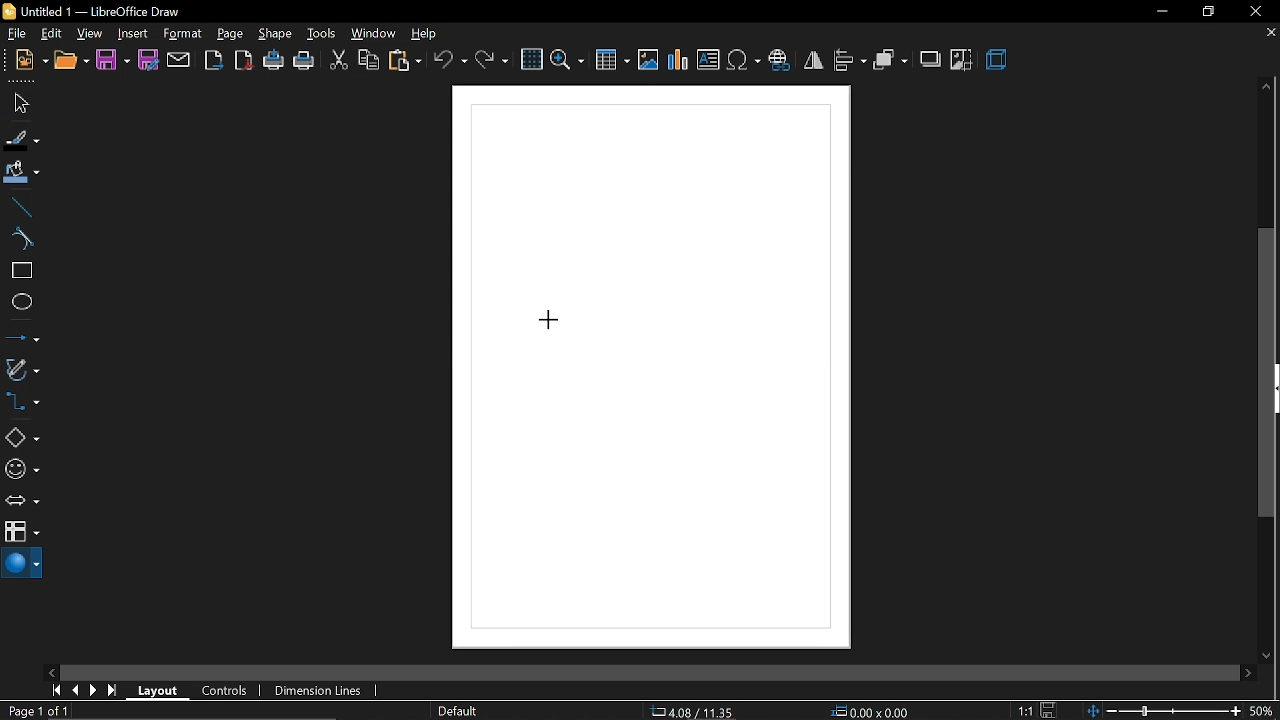  Describe the element at coordinates (96, 689) in the screenshot. I see `next page ` at that location.